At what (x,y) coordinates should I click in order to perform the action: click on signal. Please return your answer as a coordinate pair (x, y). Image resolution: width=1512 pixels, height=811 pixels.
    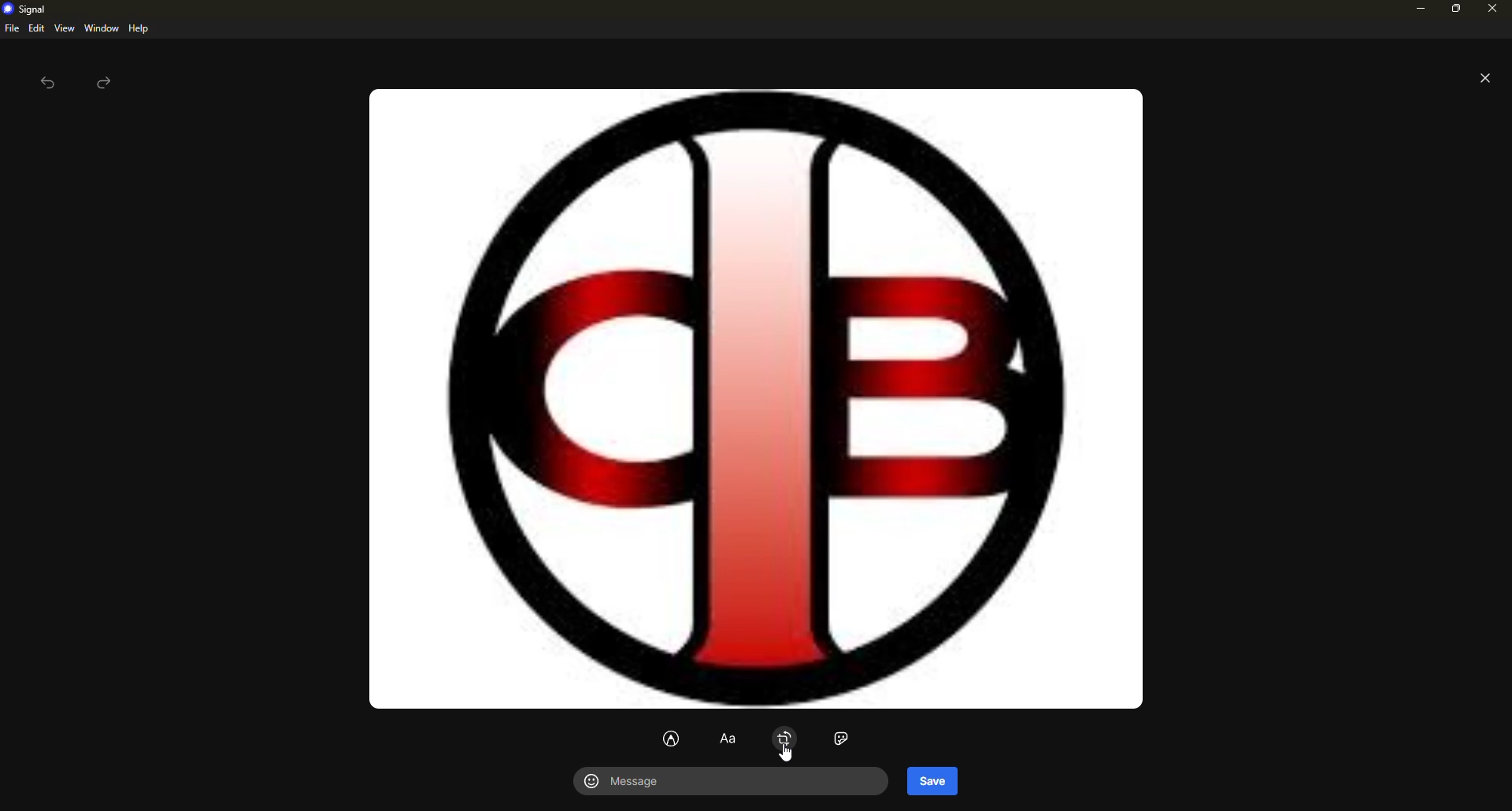
    Looking at the image, I should click on (25, 10).